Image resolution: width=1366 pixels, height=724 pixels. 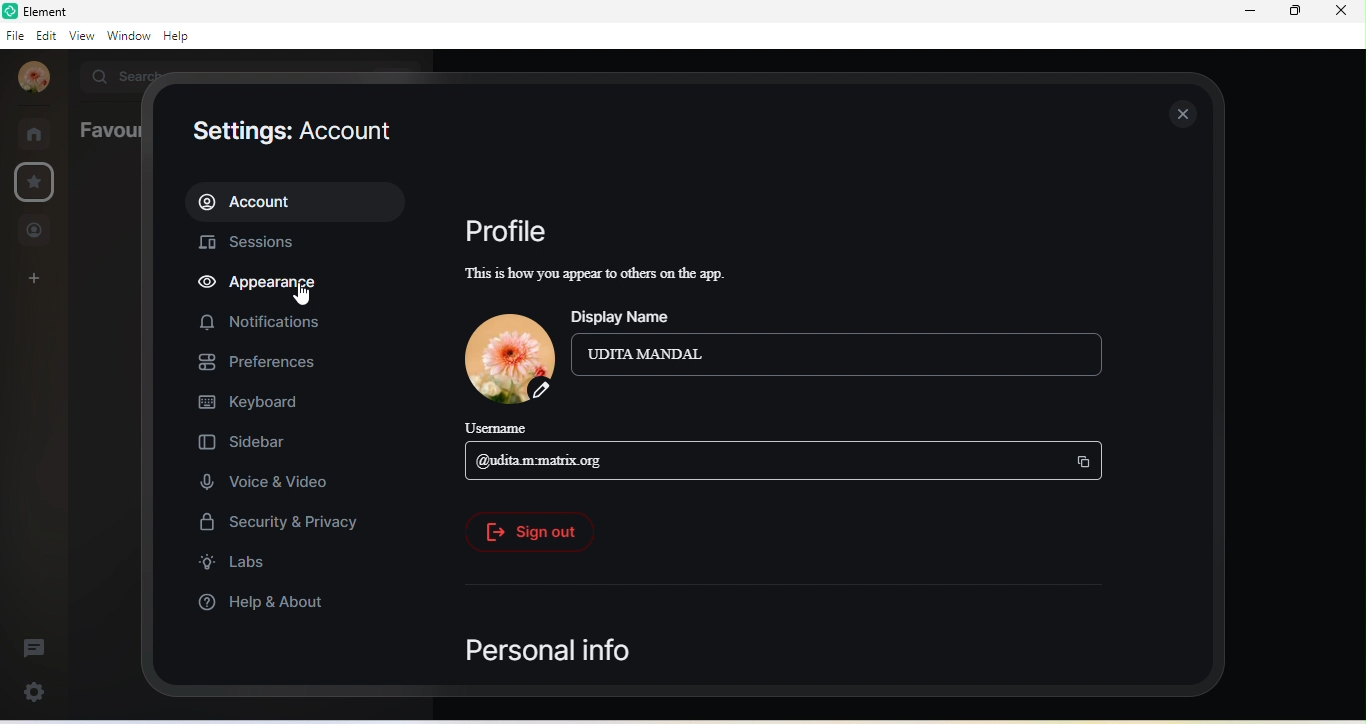 What do you see at coordinates (37, 182) in the screenshot?
I see `favourites` at bounding box center [37, 182].